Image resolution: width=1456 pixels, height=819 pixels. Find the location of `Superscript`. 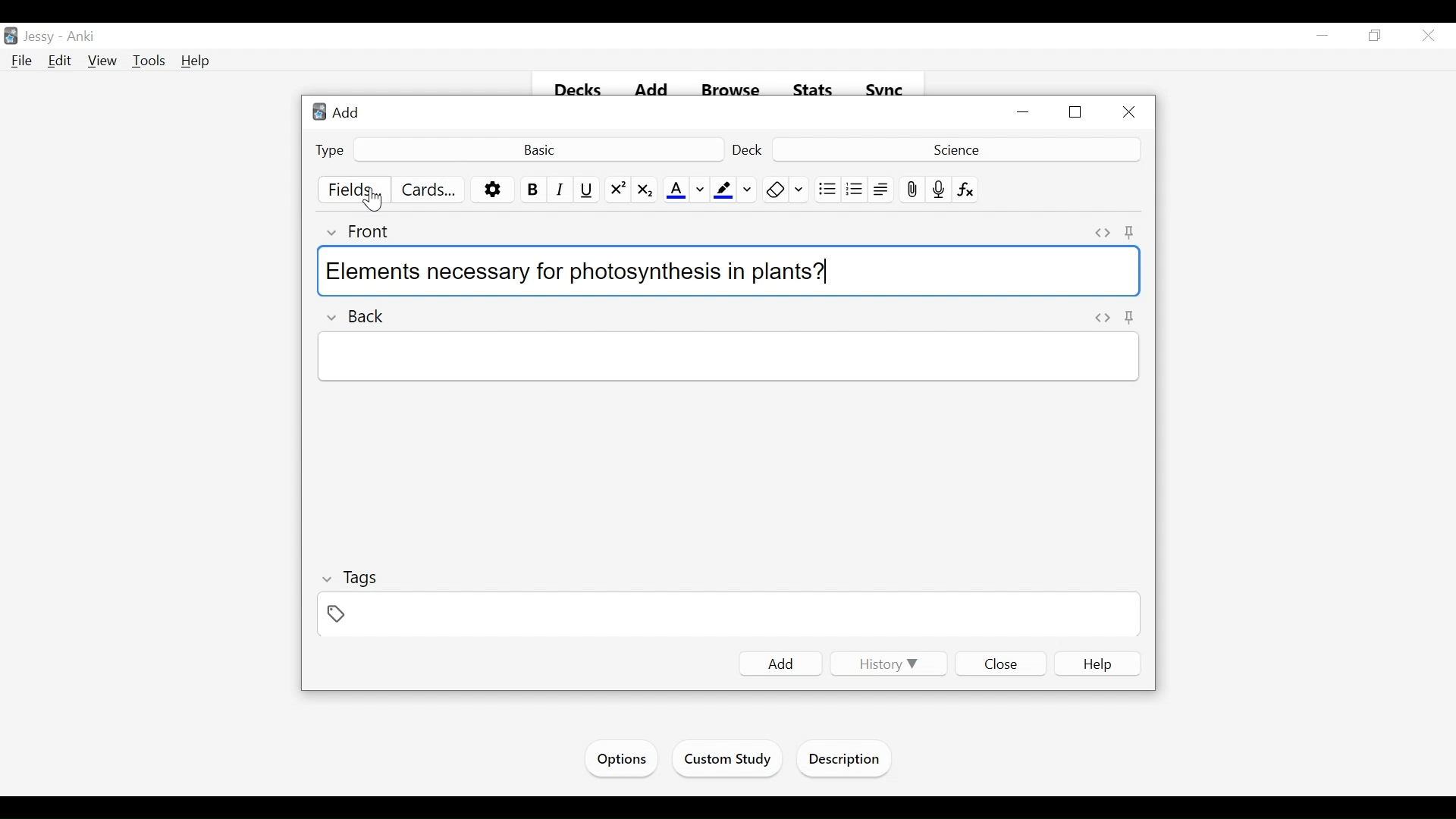

Superscript is located at coordinates (618, 190).